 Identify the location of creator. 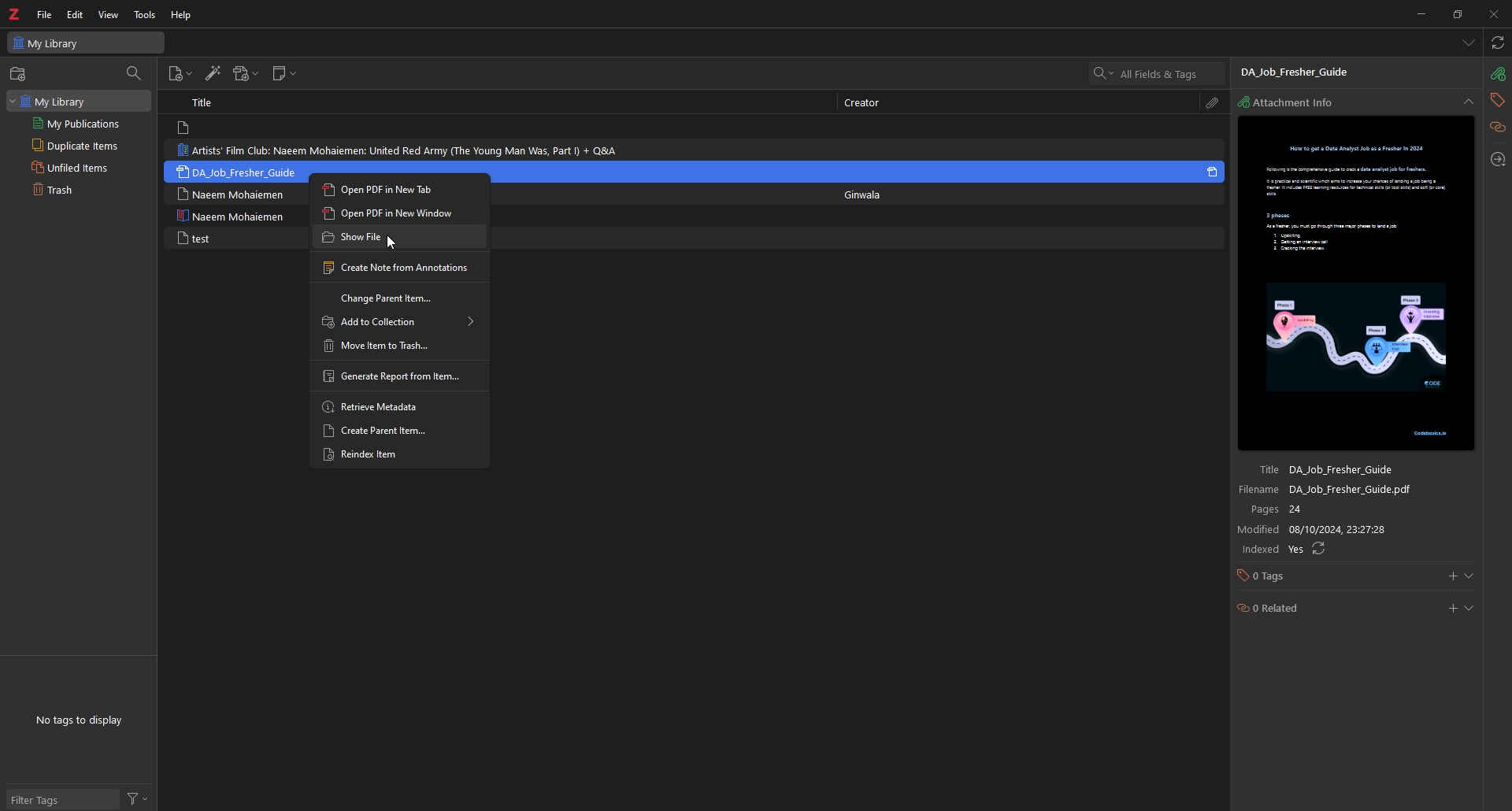
(869, 103).